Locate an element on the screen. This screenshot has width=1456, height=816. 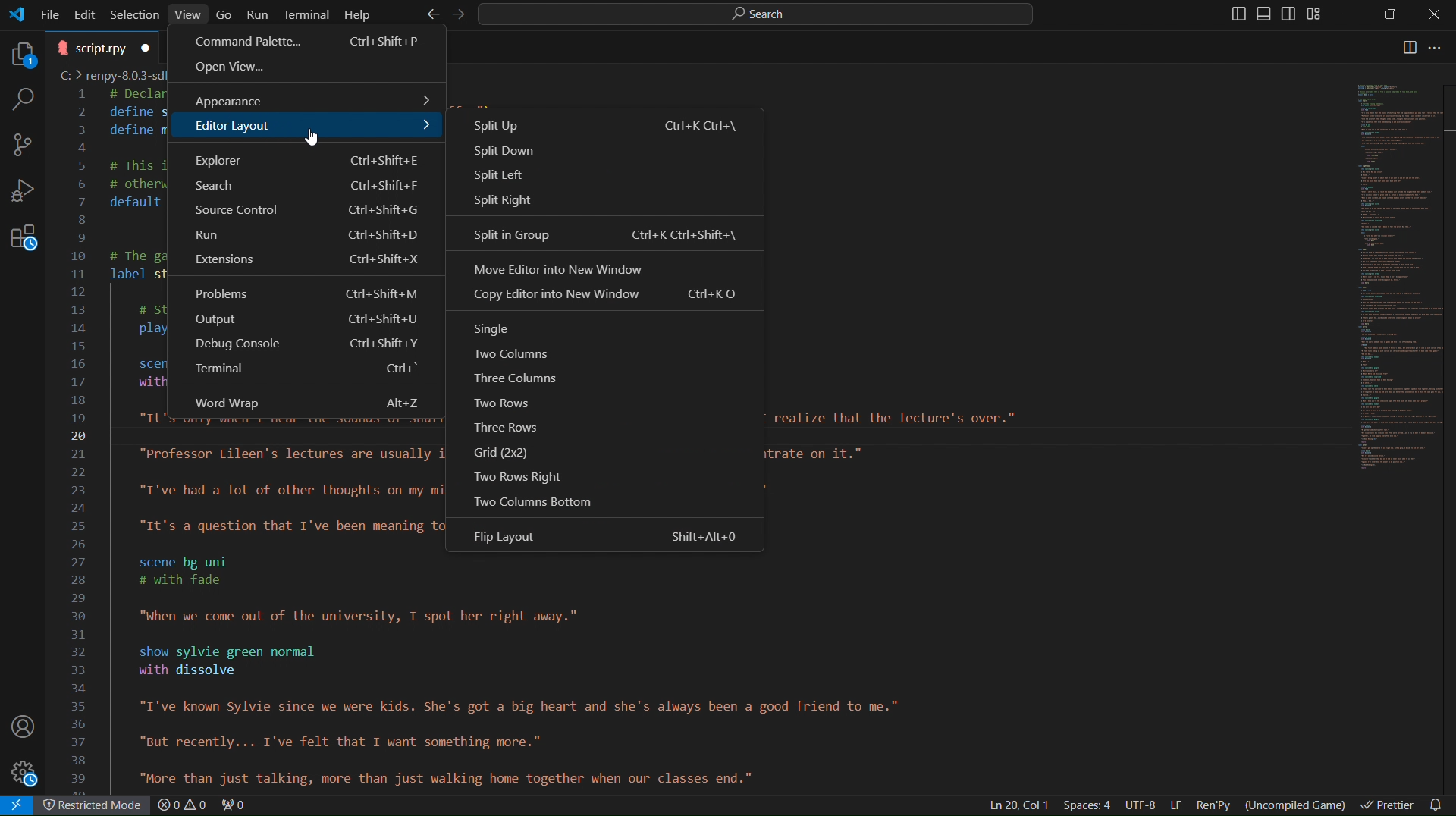
Errors is located at coordinates (204, 806).